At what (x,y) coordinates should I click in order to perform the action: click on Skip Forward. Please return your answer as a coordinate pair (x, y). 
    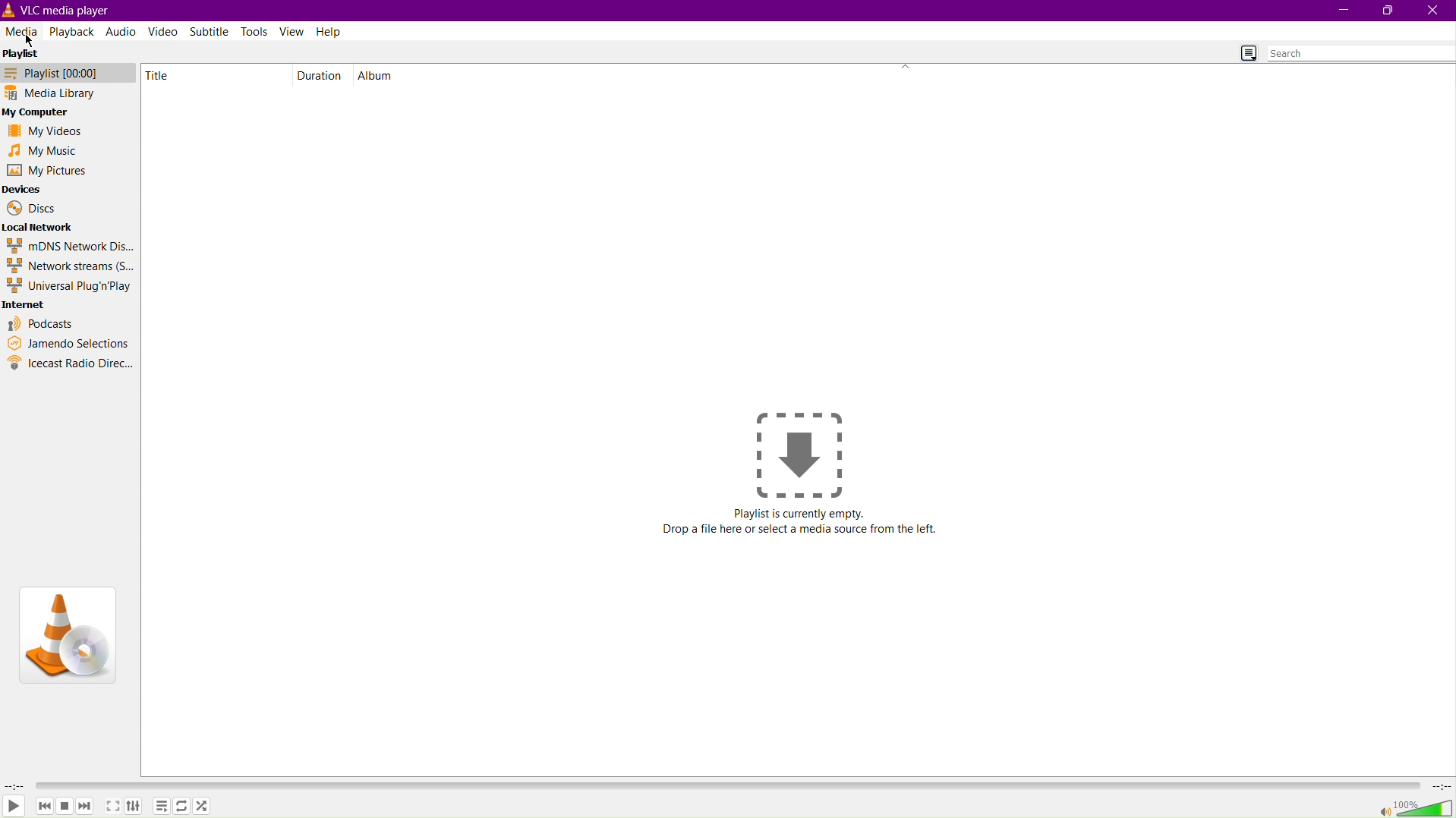
    Looking at the image, I should click on (88, 809).